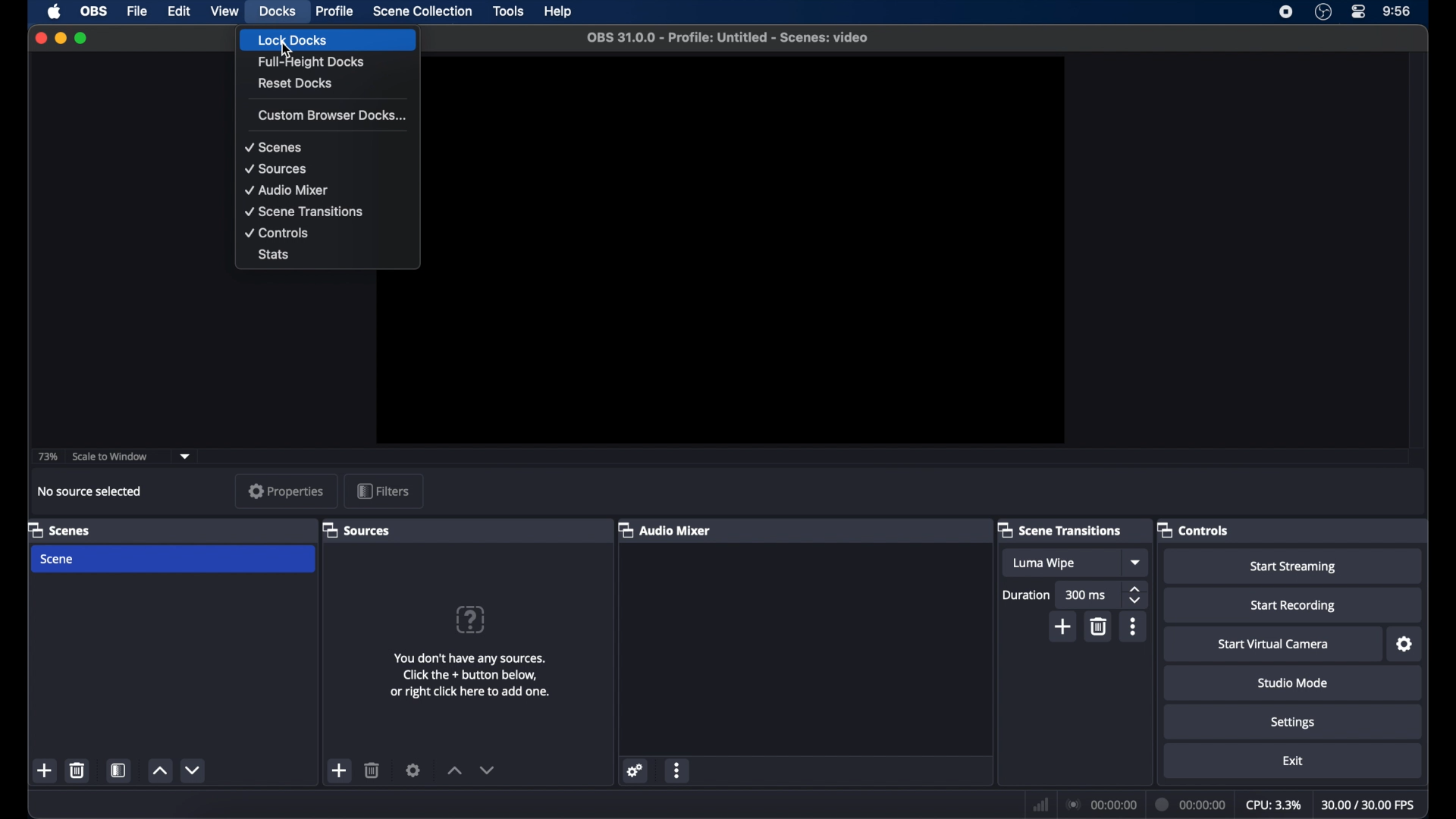  I want to click on delete, so click(1100, 627).